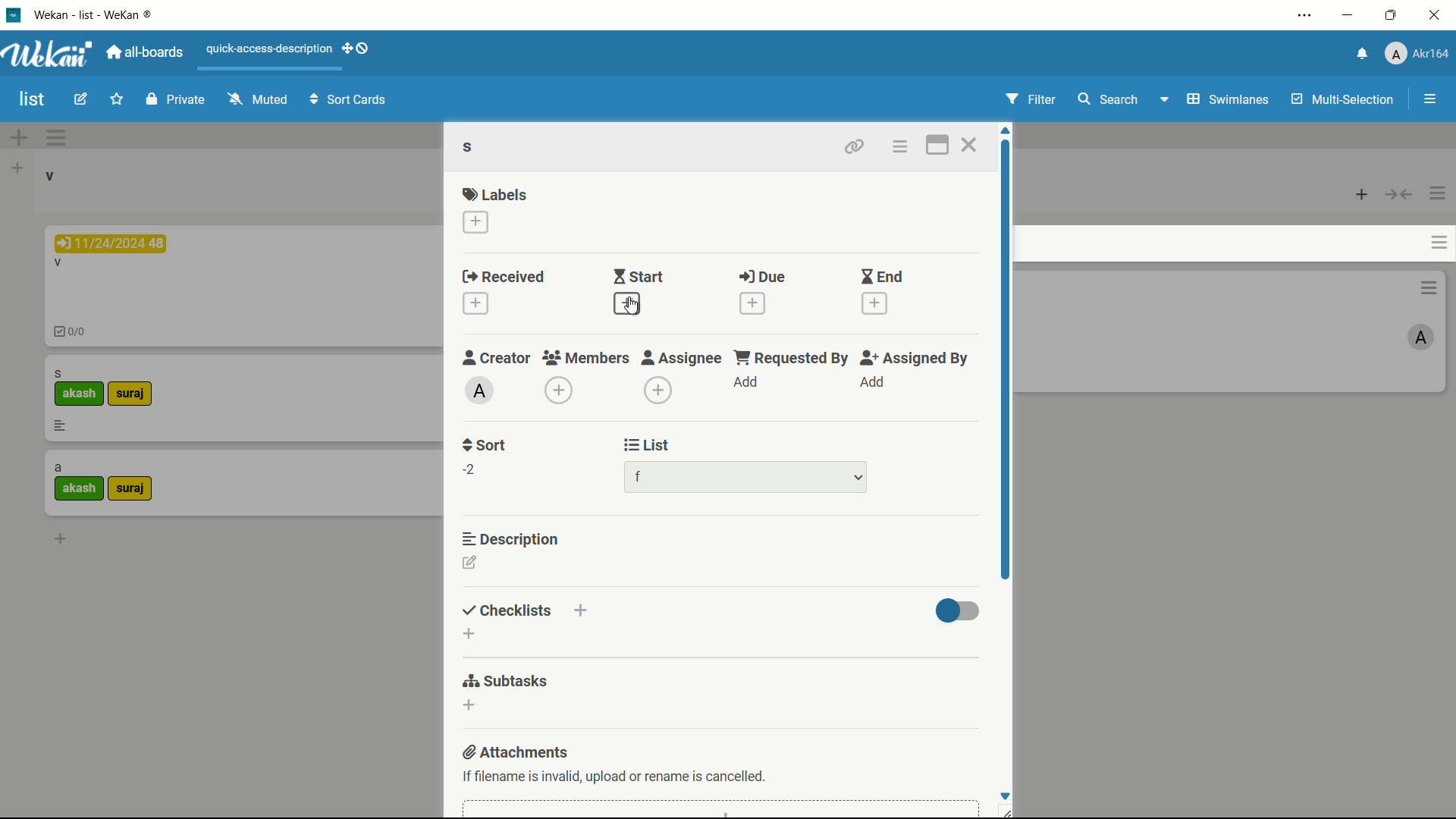 The width and height of the screenshot is (1456, 819). Describe the element at coordinates (131, 394) in the screenshot. I see `label-2` at that location.